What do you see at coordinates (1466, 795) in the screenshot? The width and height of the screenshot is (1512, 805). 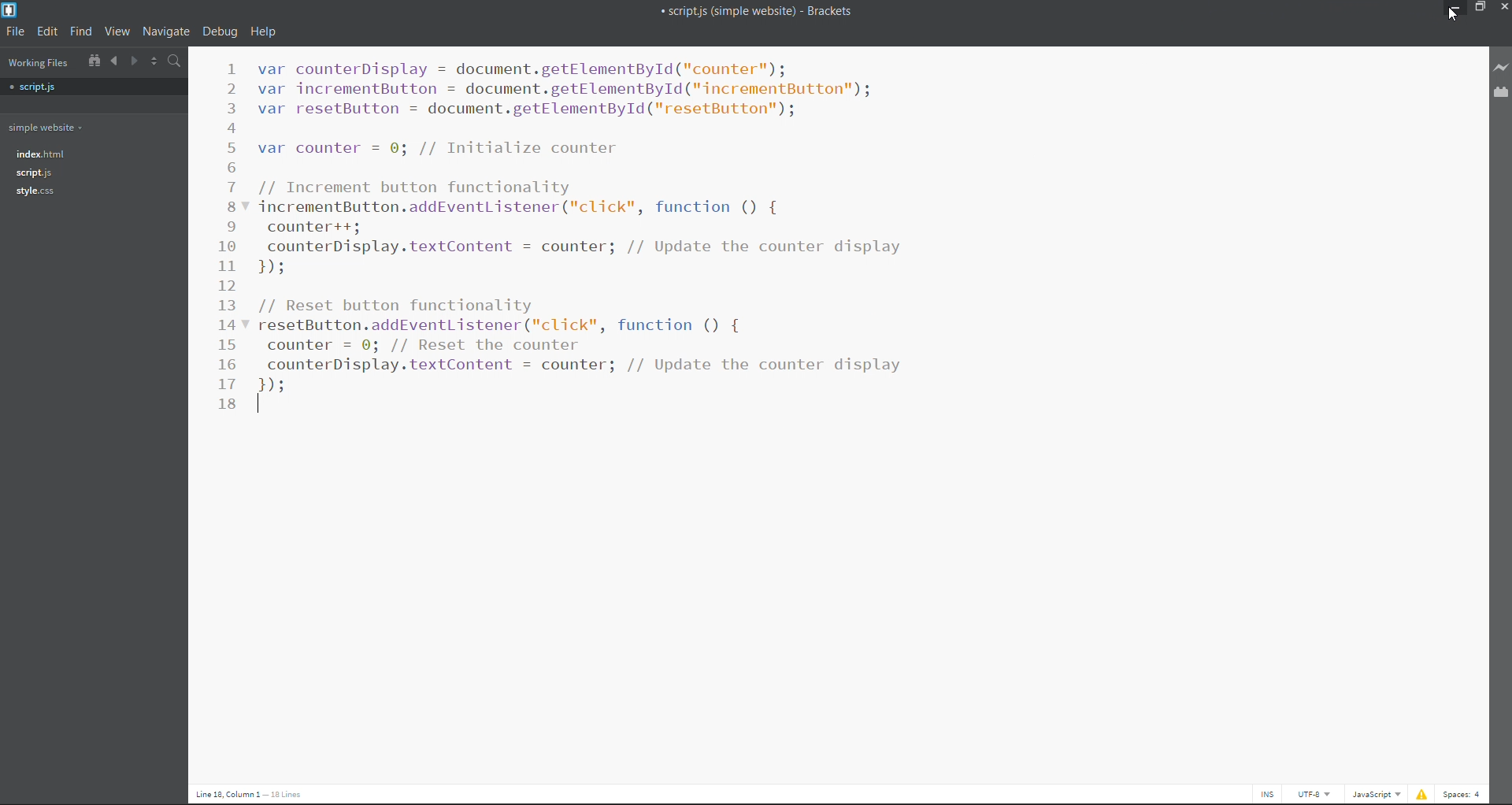 I see `Space 4` at bounding box center [1466, 795].